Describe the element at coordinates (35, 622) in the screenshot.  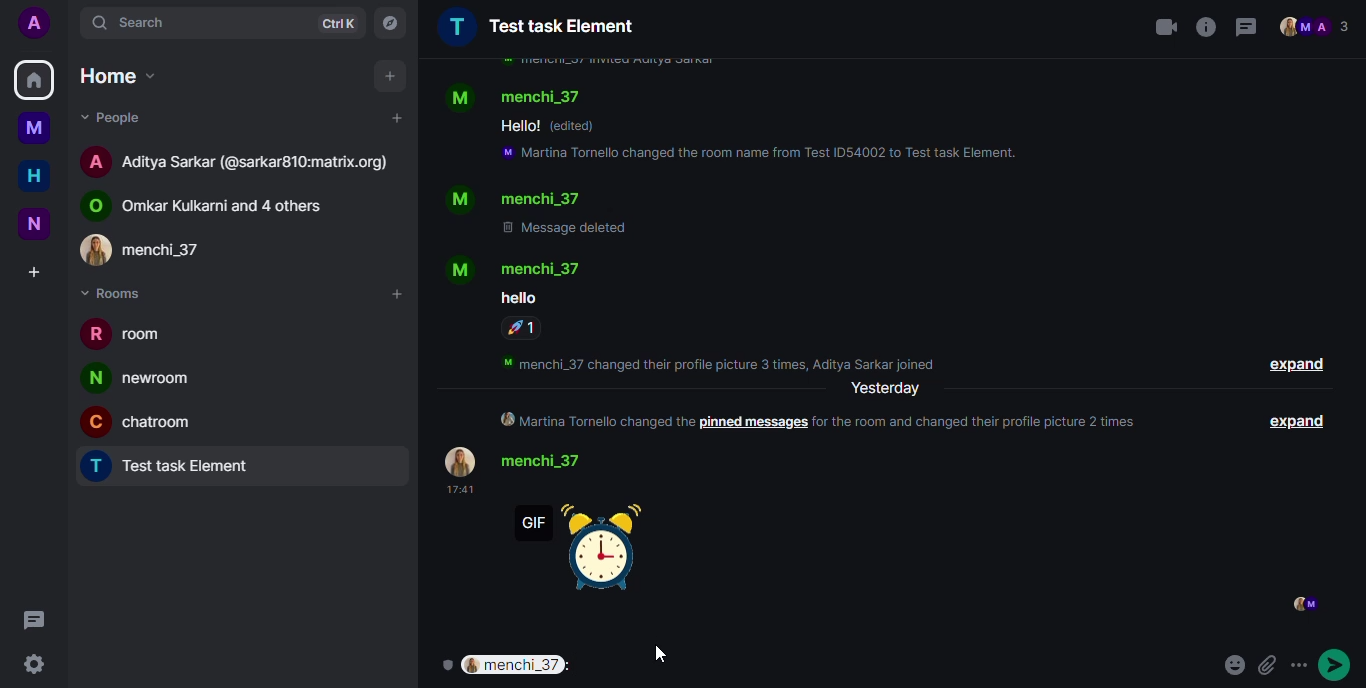
I see `threads` at that location.